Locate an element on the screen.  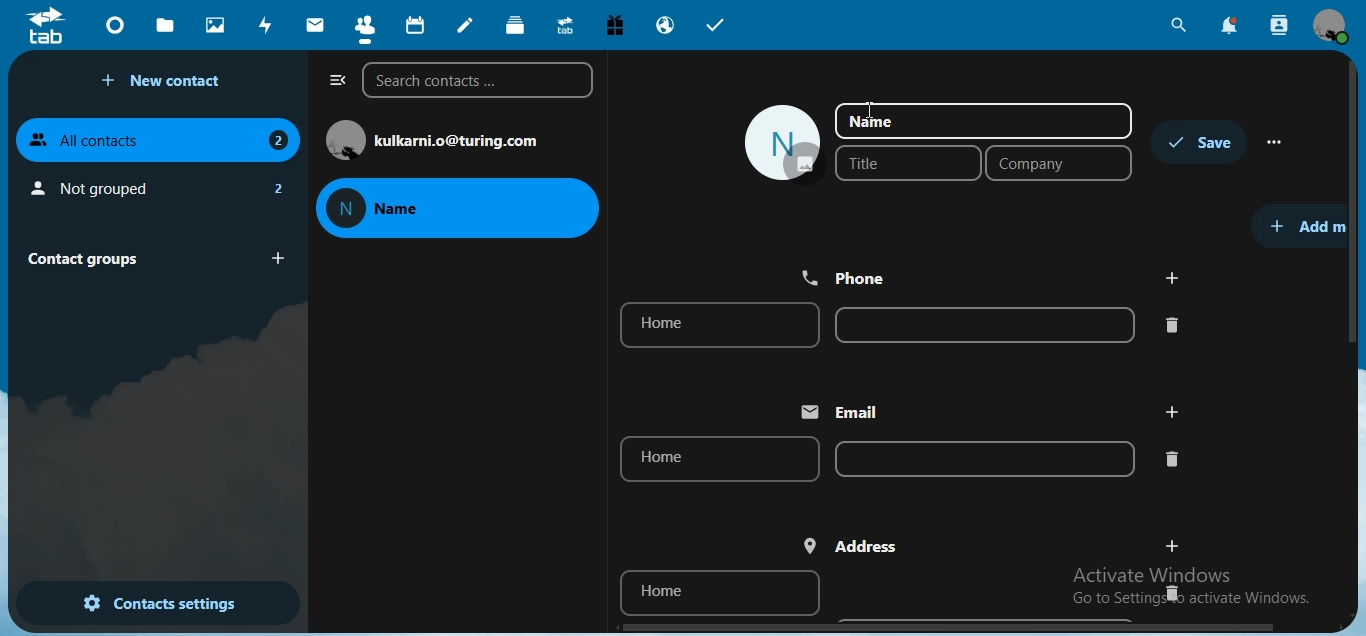
calendar is located at coordinates (413, 23).